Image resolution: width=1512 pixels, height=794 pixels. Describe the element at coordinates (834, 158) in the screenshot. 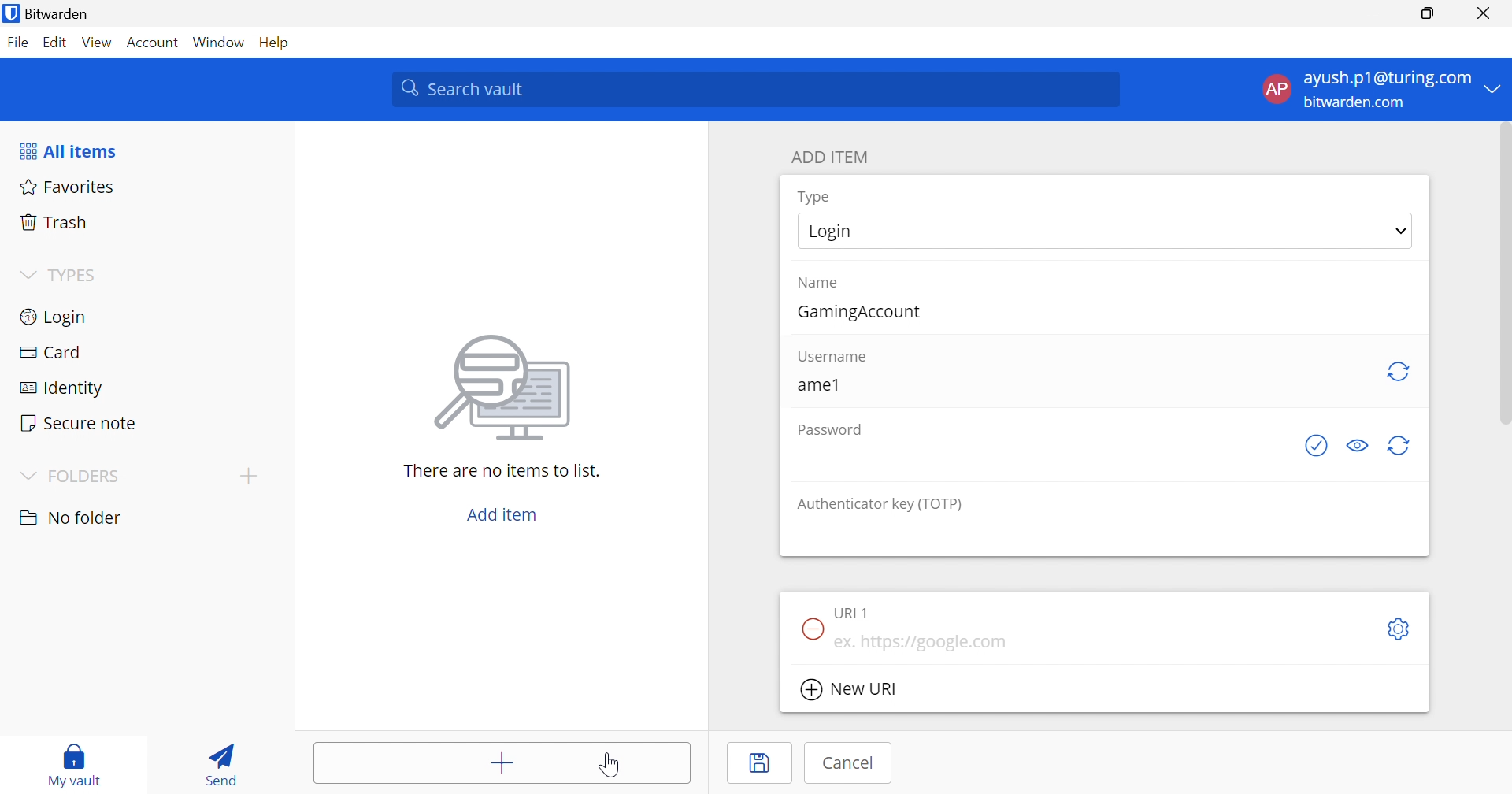

I see `ADD ITEM` at that location.